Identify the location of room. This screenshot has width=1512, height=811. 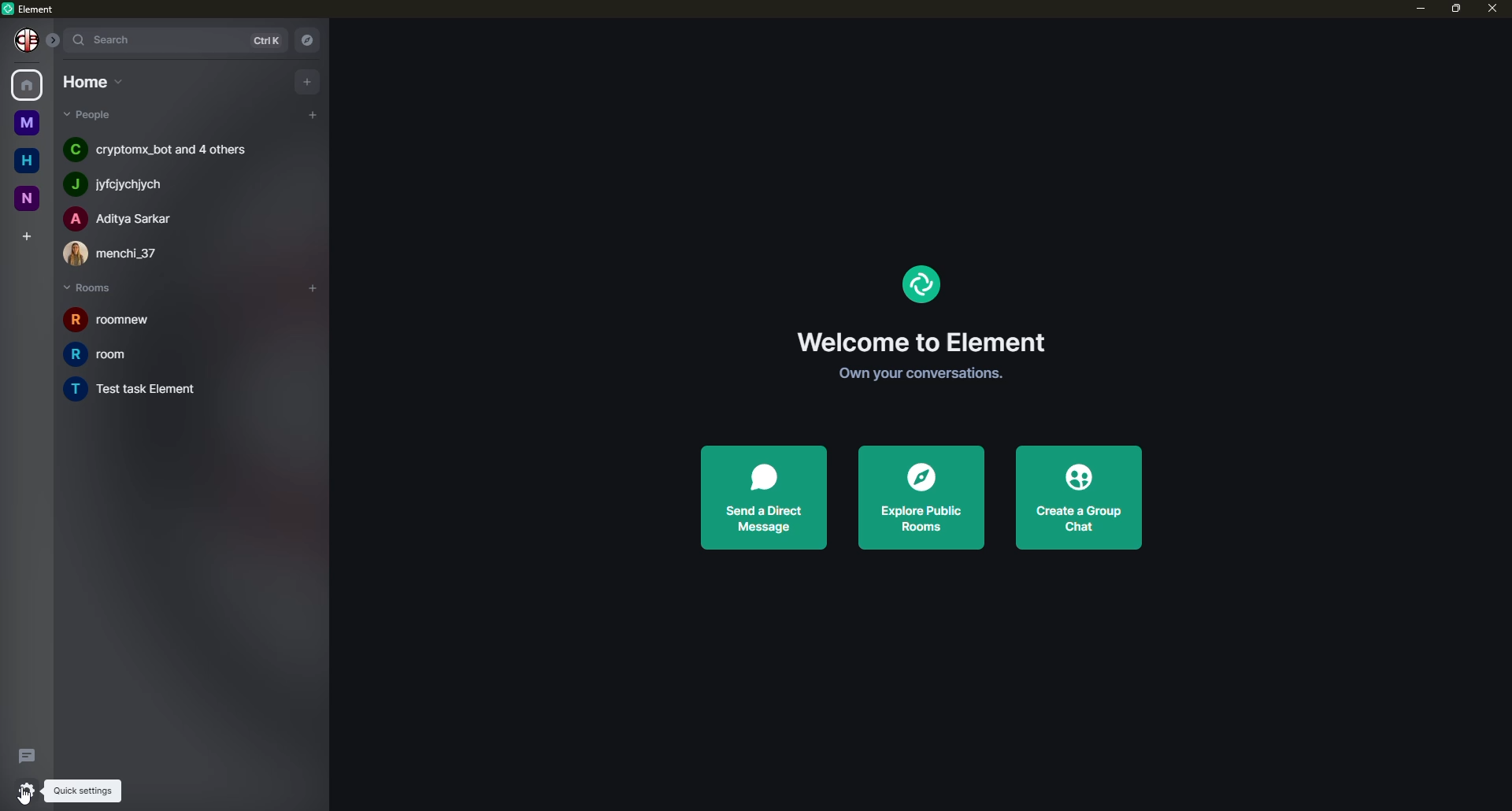
(121, 321).